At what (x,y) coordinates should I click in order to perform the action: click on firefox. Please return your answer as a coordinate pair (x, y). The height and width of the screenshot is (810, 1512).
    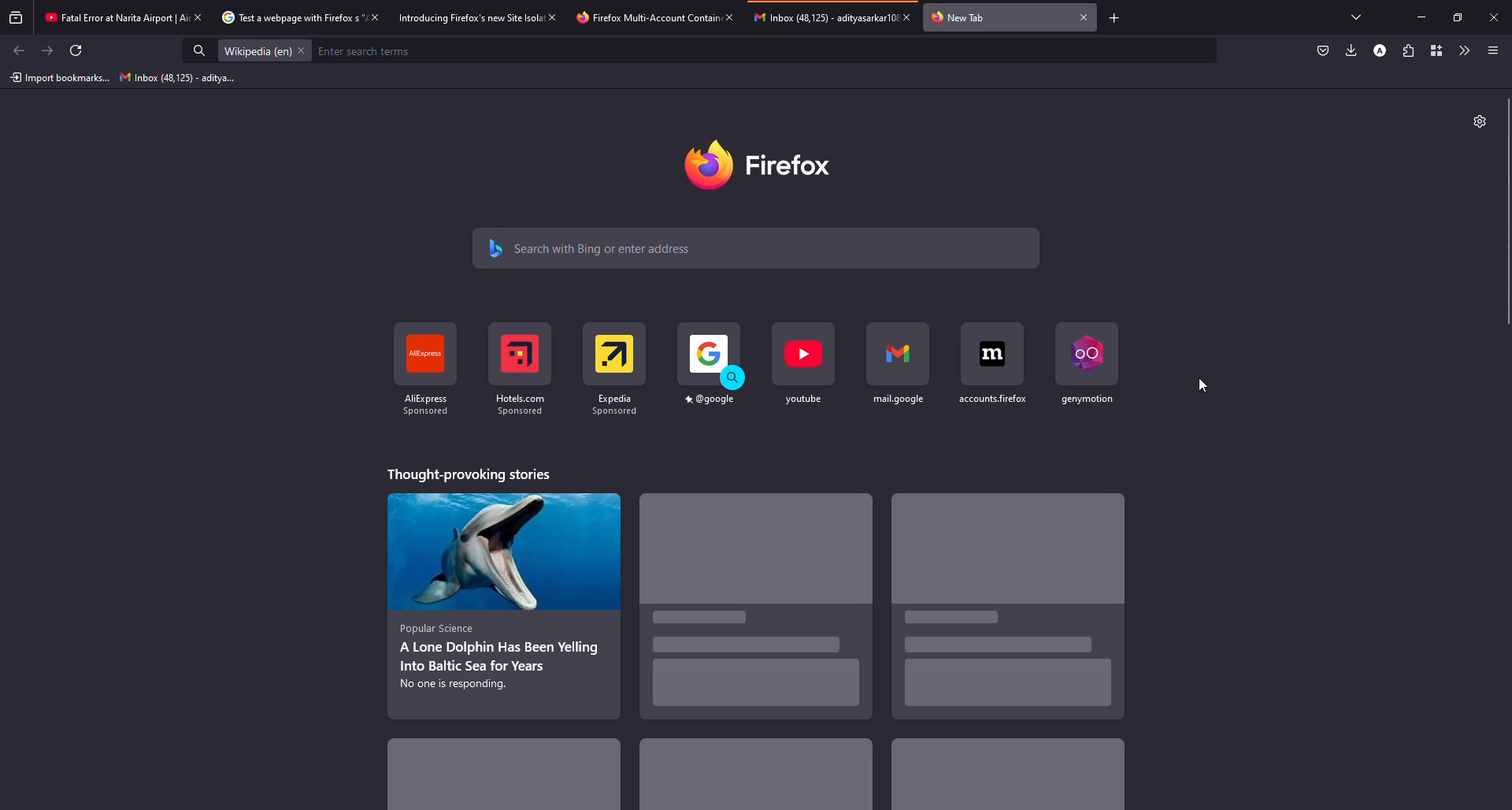
    Looking at the image, I should click on (769, 164).